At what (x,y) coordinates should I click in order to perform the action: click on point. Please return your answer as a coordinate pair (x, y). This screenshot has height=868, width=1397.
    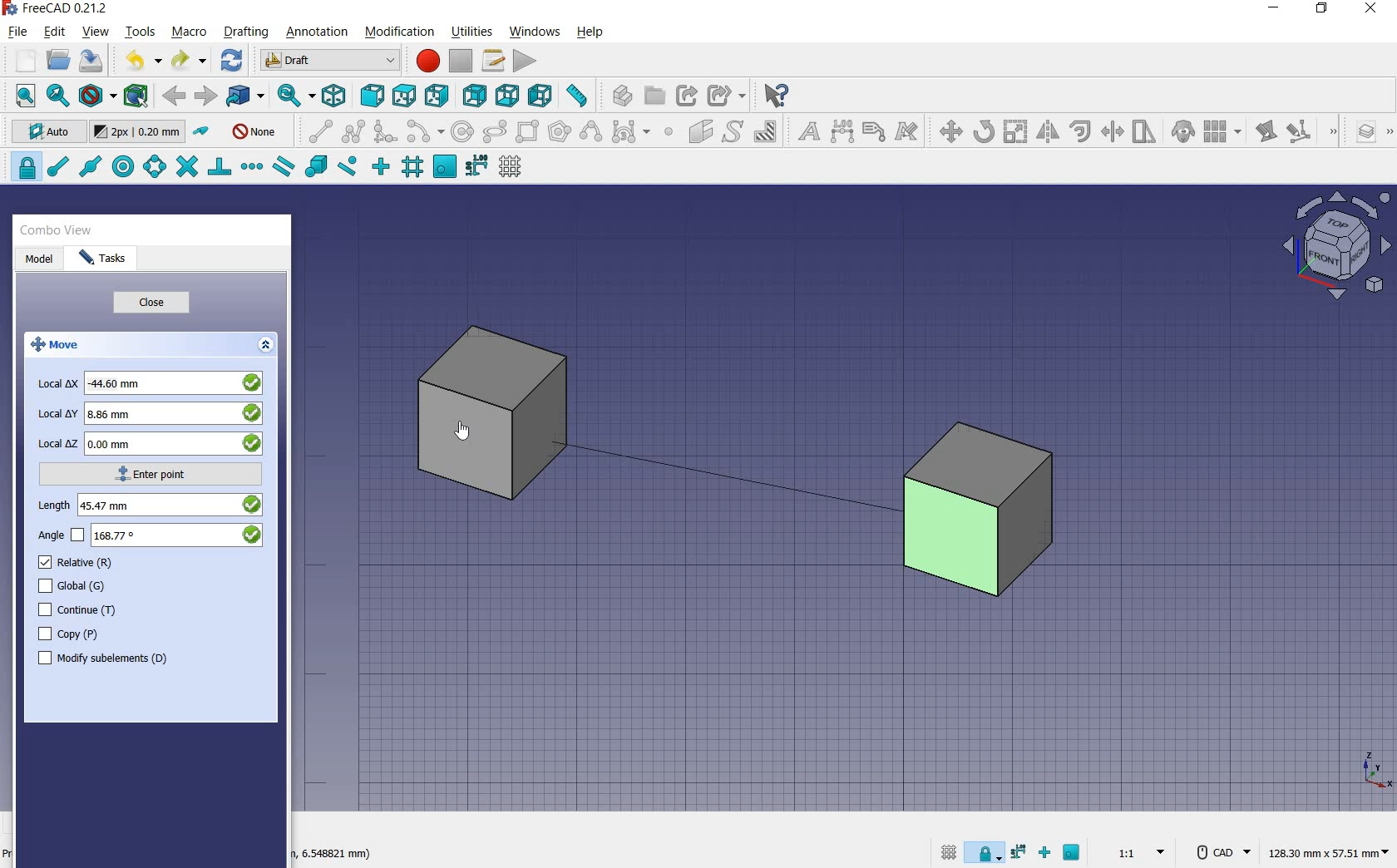
    Looking at the image, I should click on (669, 133).